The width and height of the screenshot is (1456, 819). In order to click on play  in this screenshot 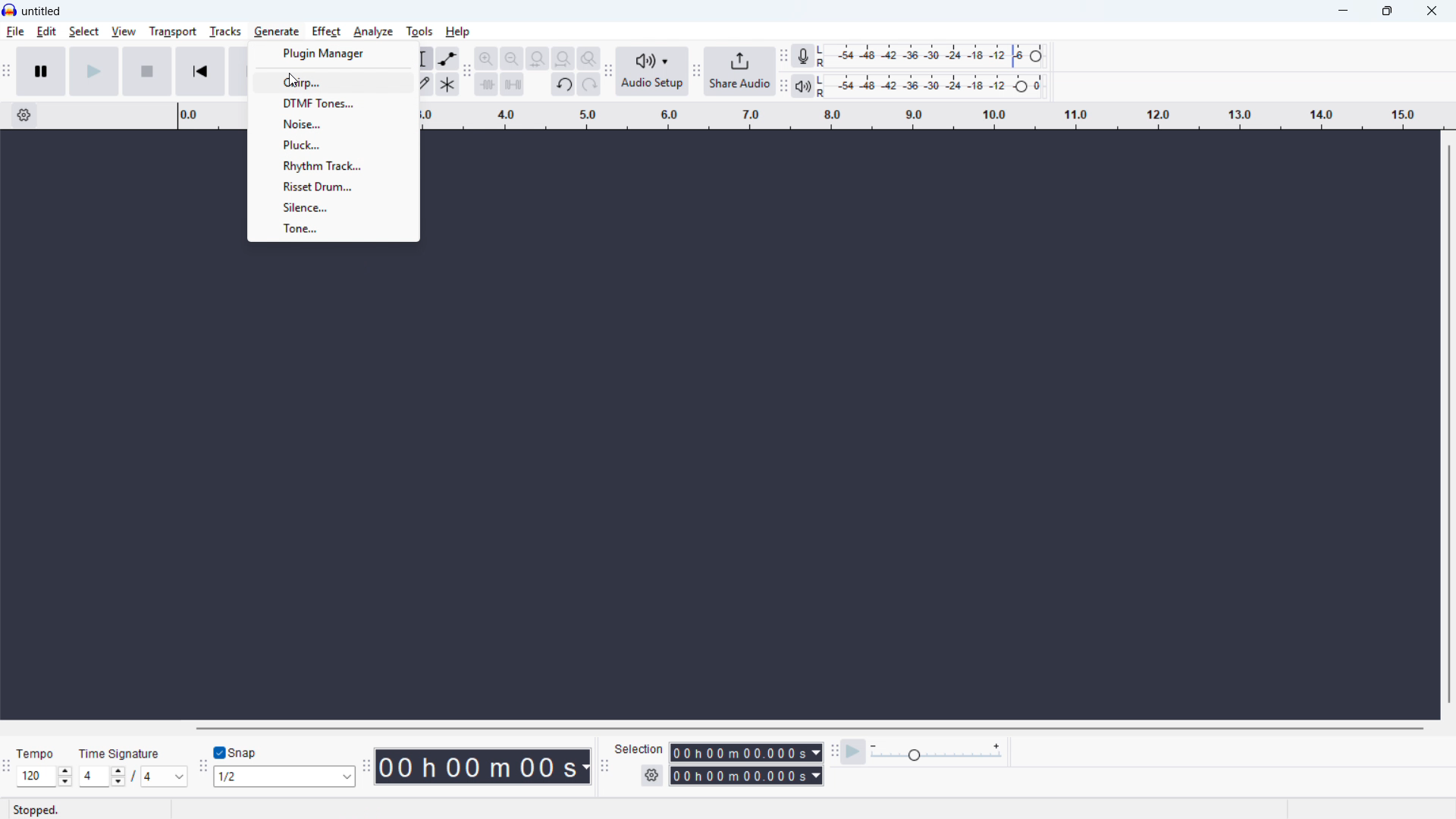, I will do `click(94, 71)`.